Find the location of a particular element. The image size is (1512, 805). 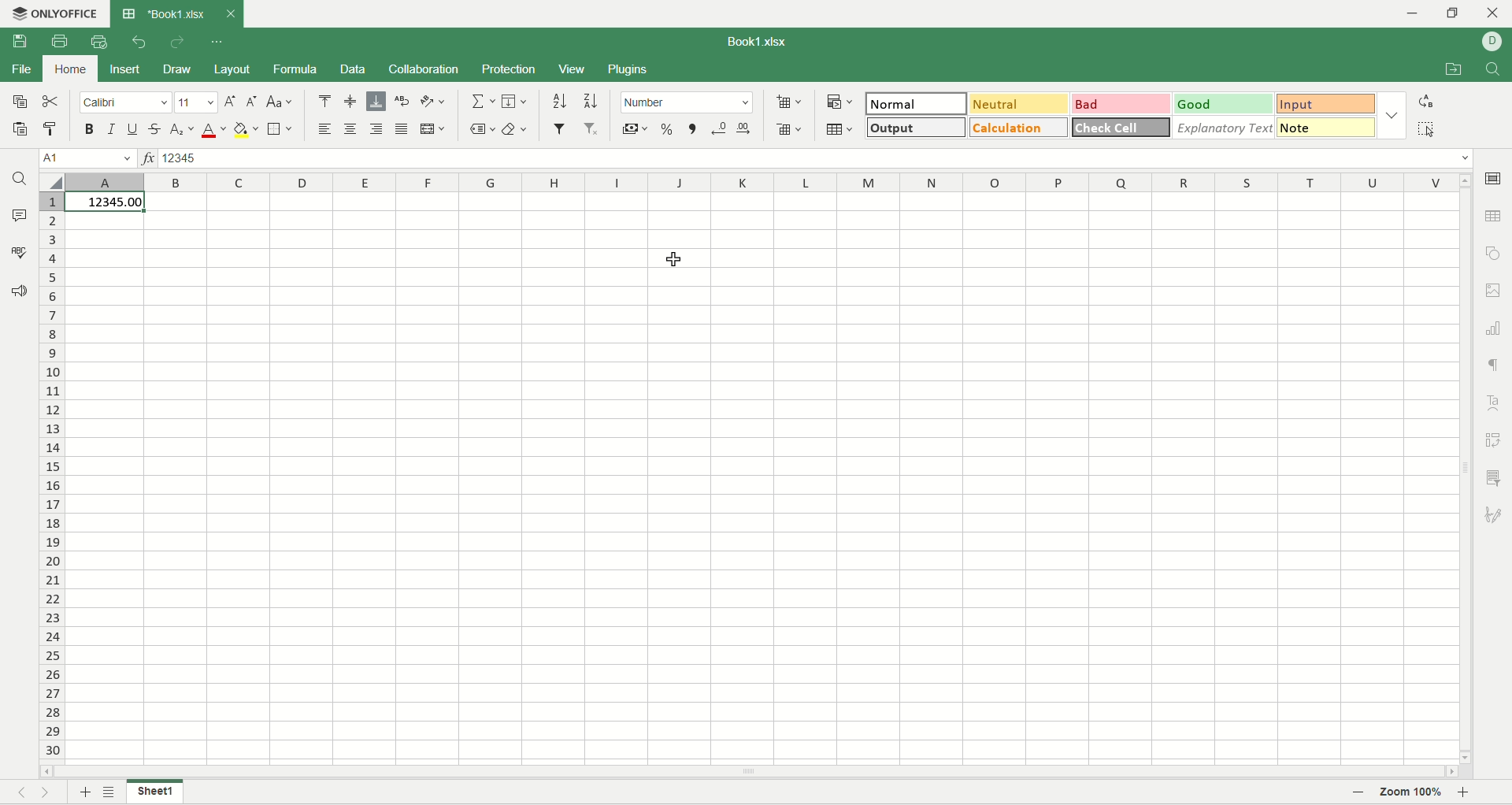

copy formatting is located at coordinates (49, 128).